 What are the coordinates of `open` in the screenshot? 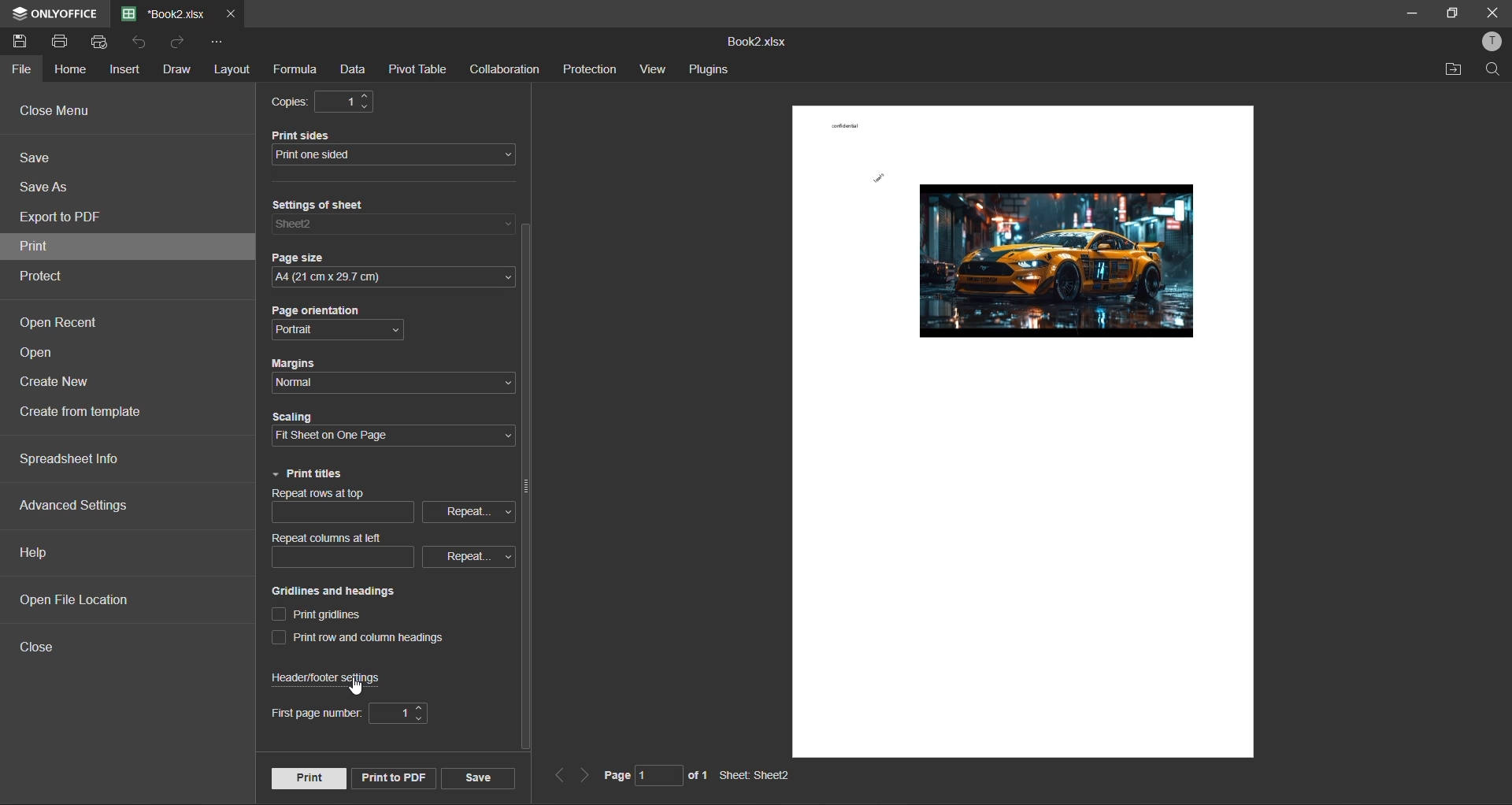 It's located at (43, 354).